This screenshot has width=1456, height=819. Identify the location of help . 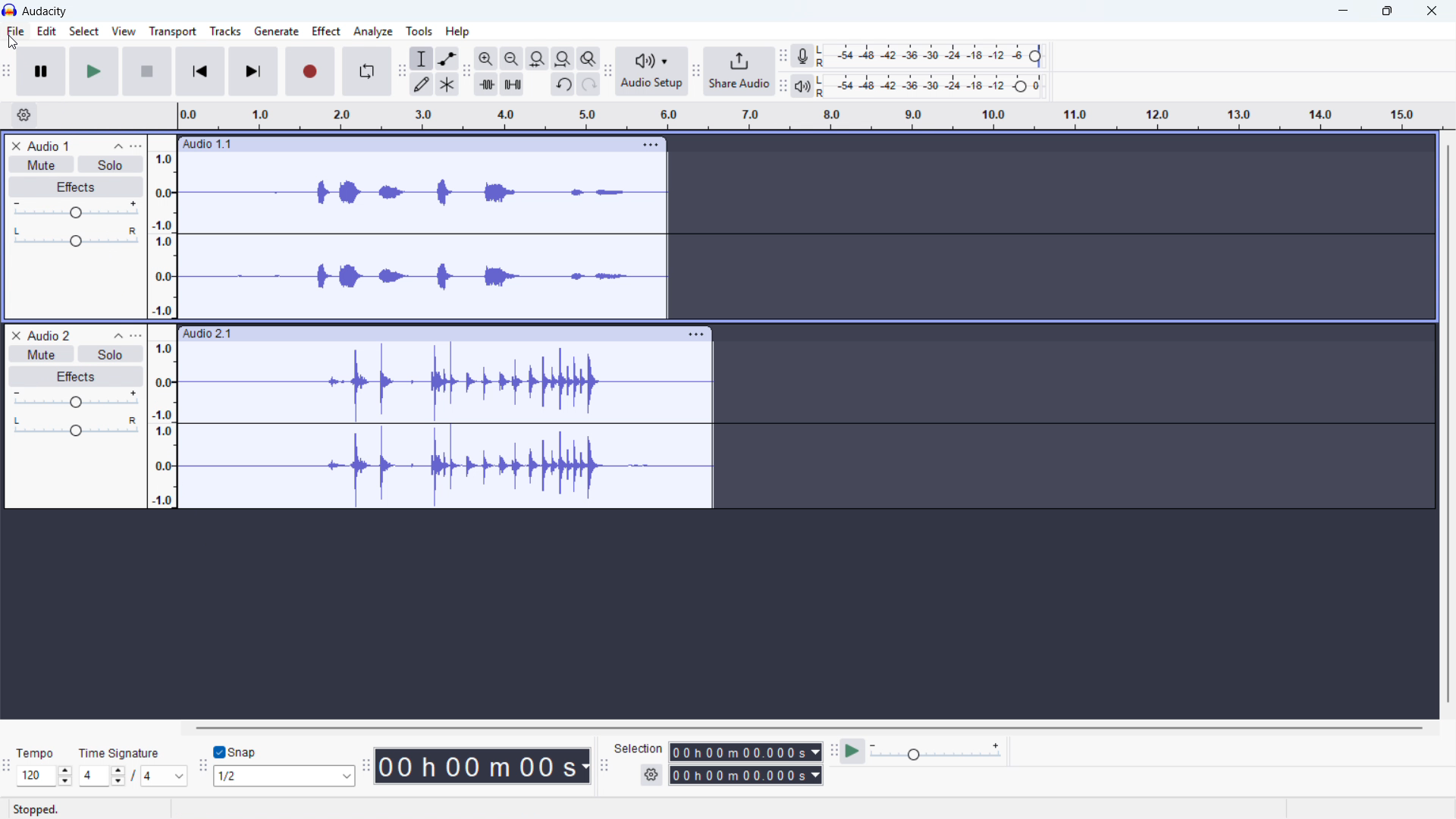
(458, 31).